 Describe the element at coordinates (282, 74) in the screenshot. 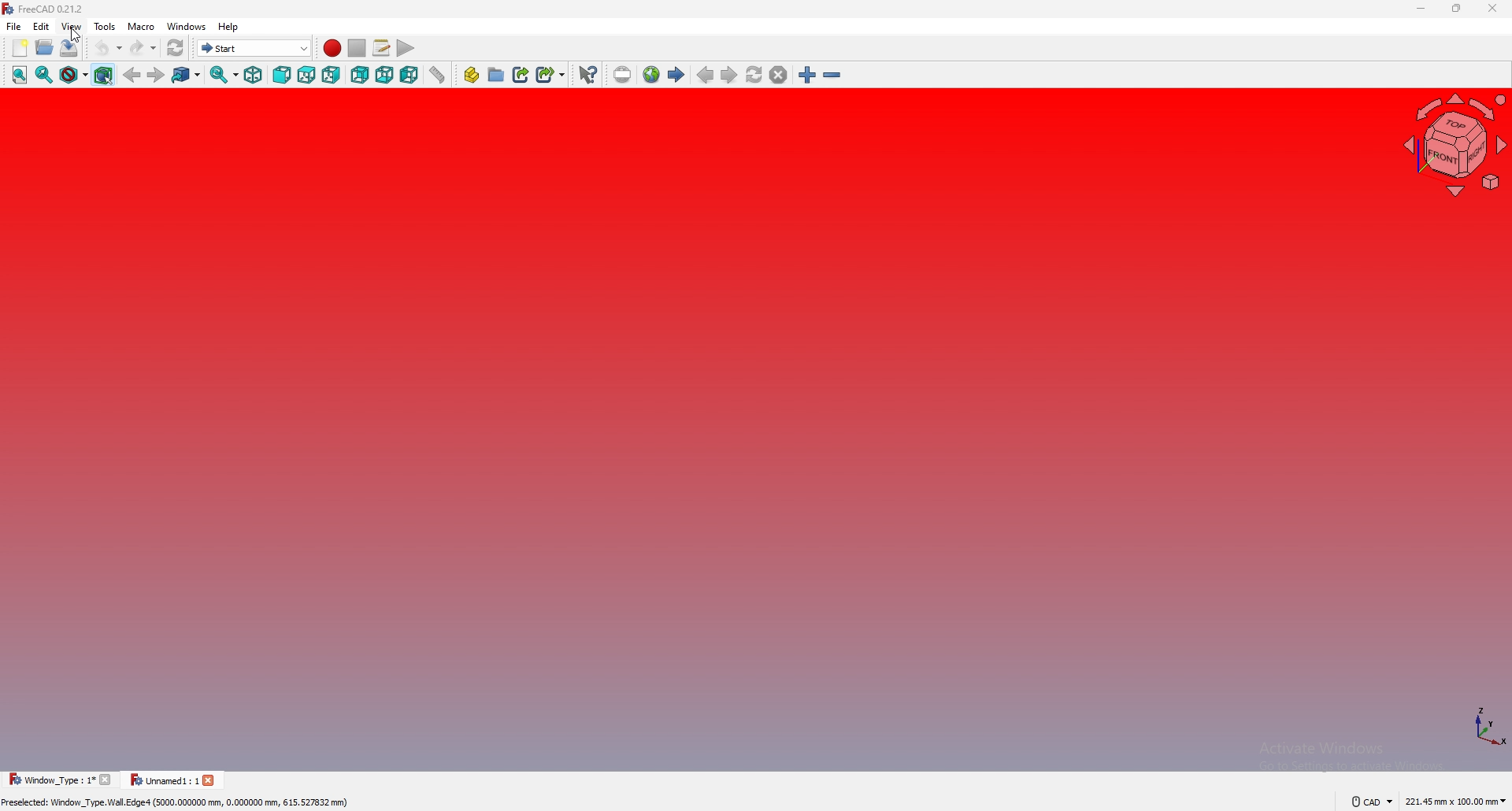

I see `front` at that location.